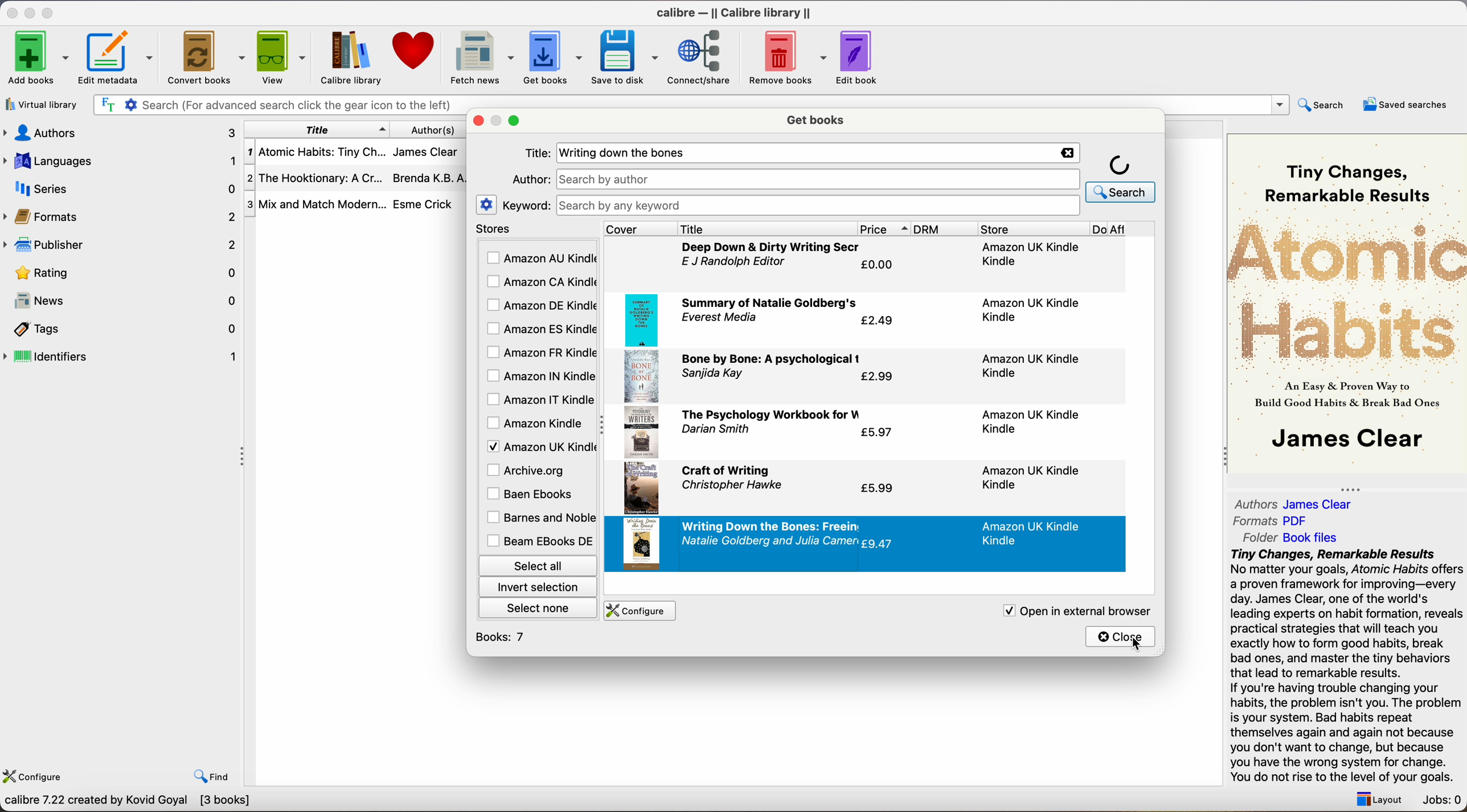  What do you see at coordinates (536, 229) in the screenshot?
I see `stores` at bounding box center [536, 229].